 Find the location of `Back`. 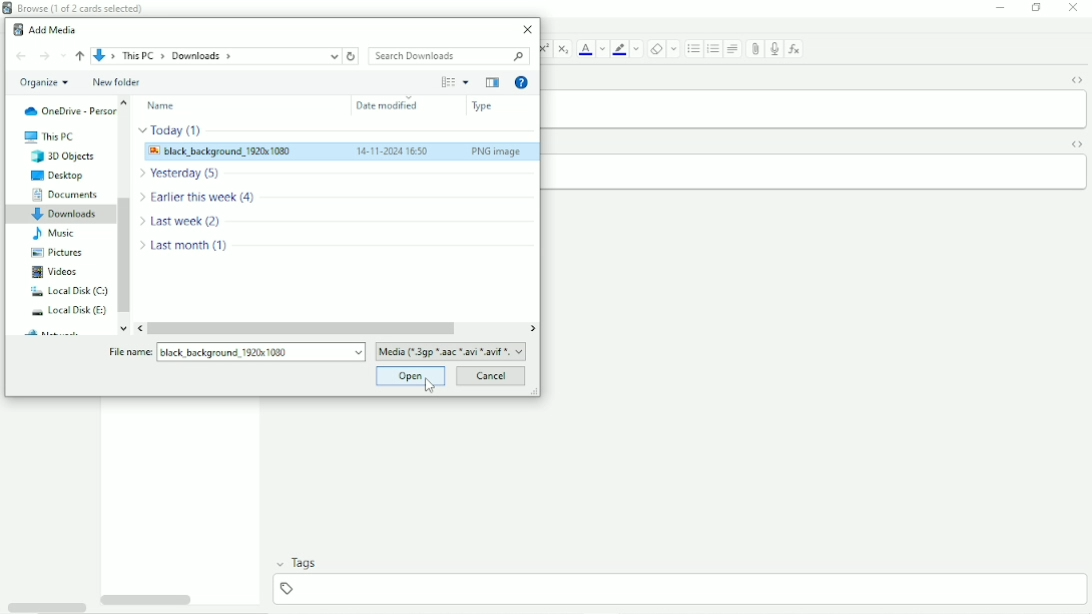

Back is located at coordinates (22, 57).